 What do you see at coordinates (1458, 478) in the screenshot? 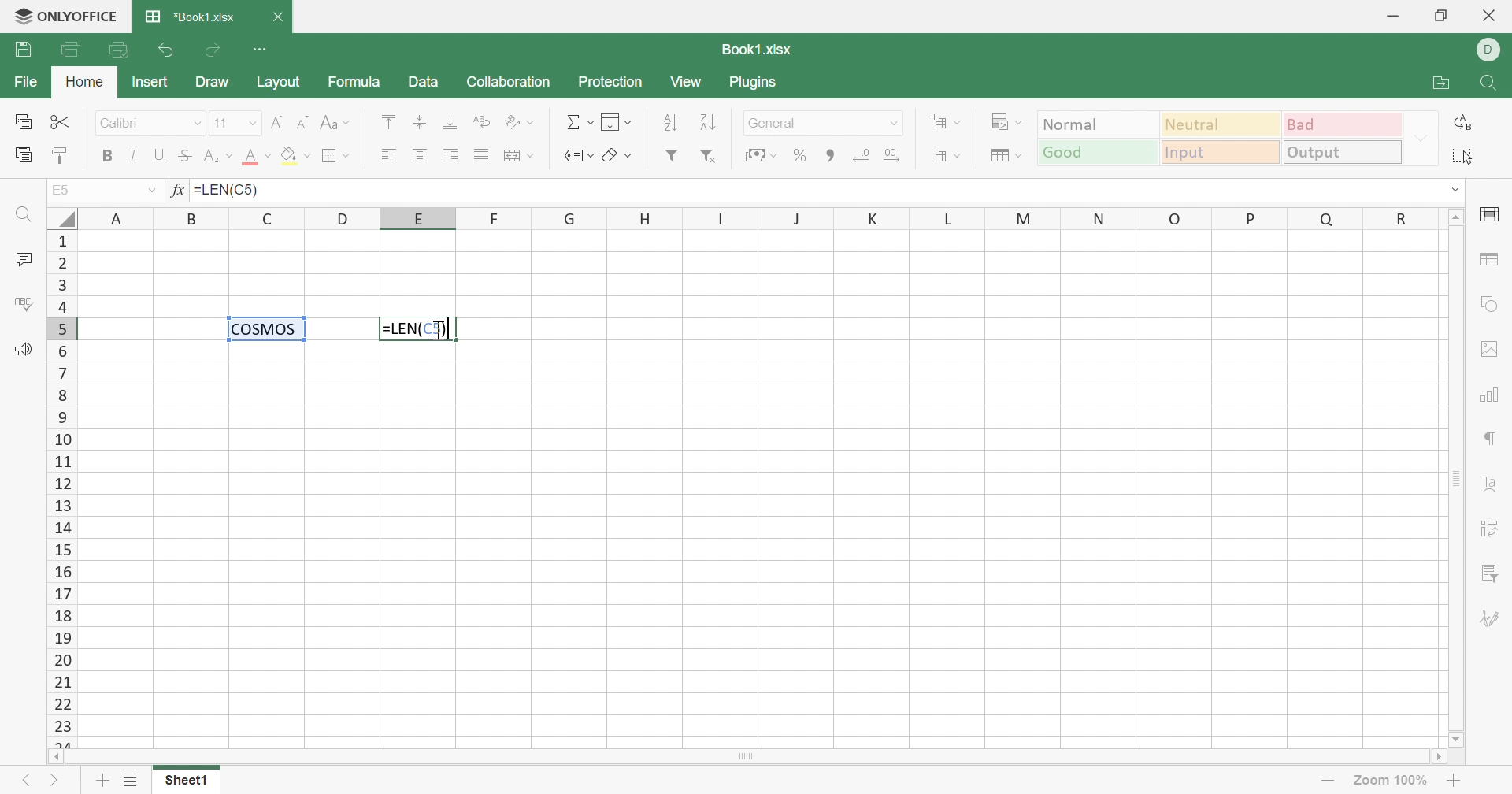
I see `Scroll bar` at bounding box center [1458, 478].